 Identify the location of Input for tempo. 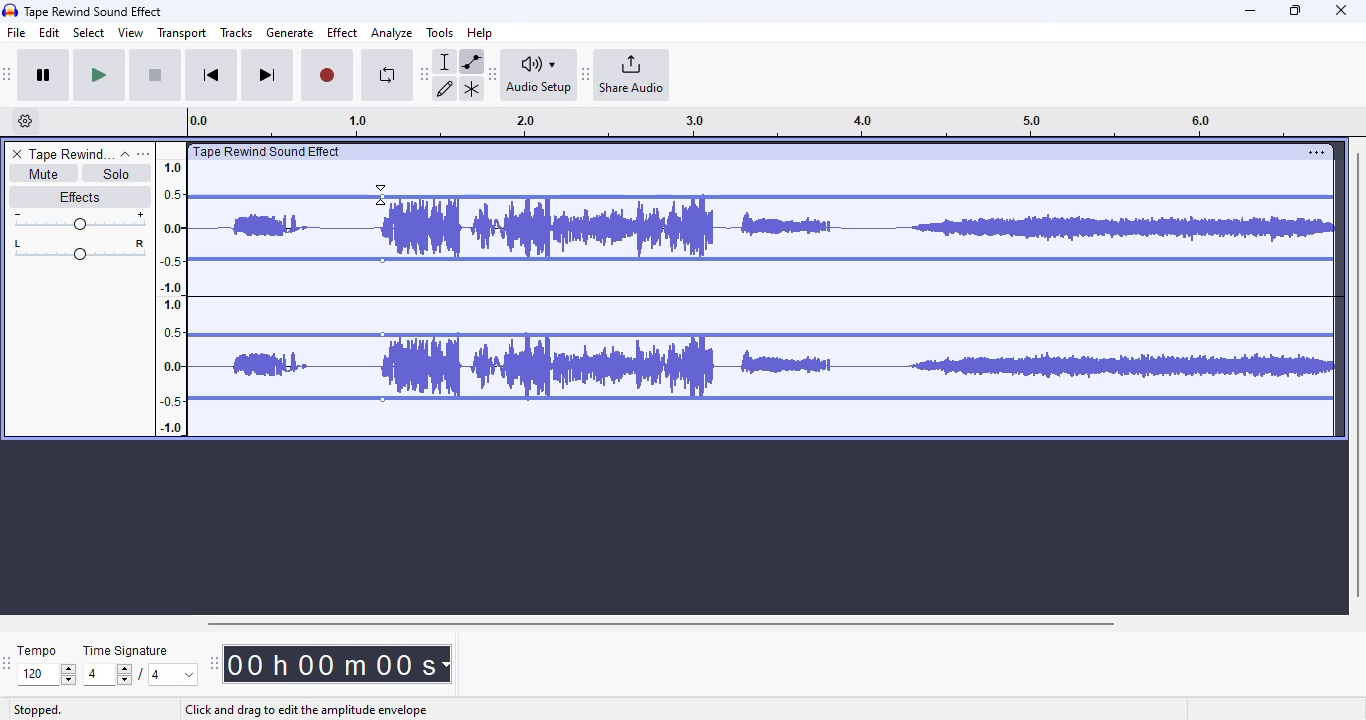
(46, 675).